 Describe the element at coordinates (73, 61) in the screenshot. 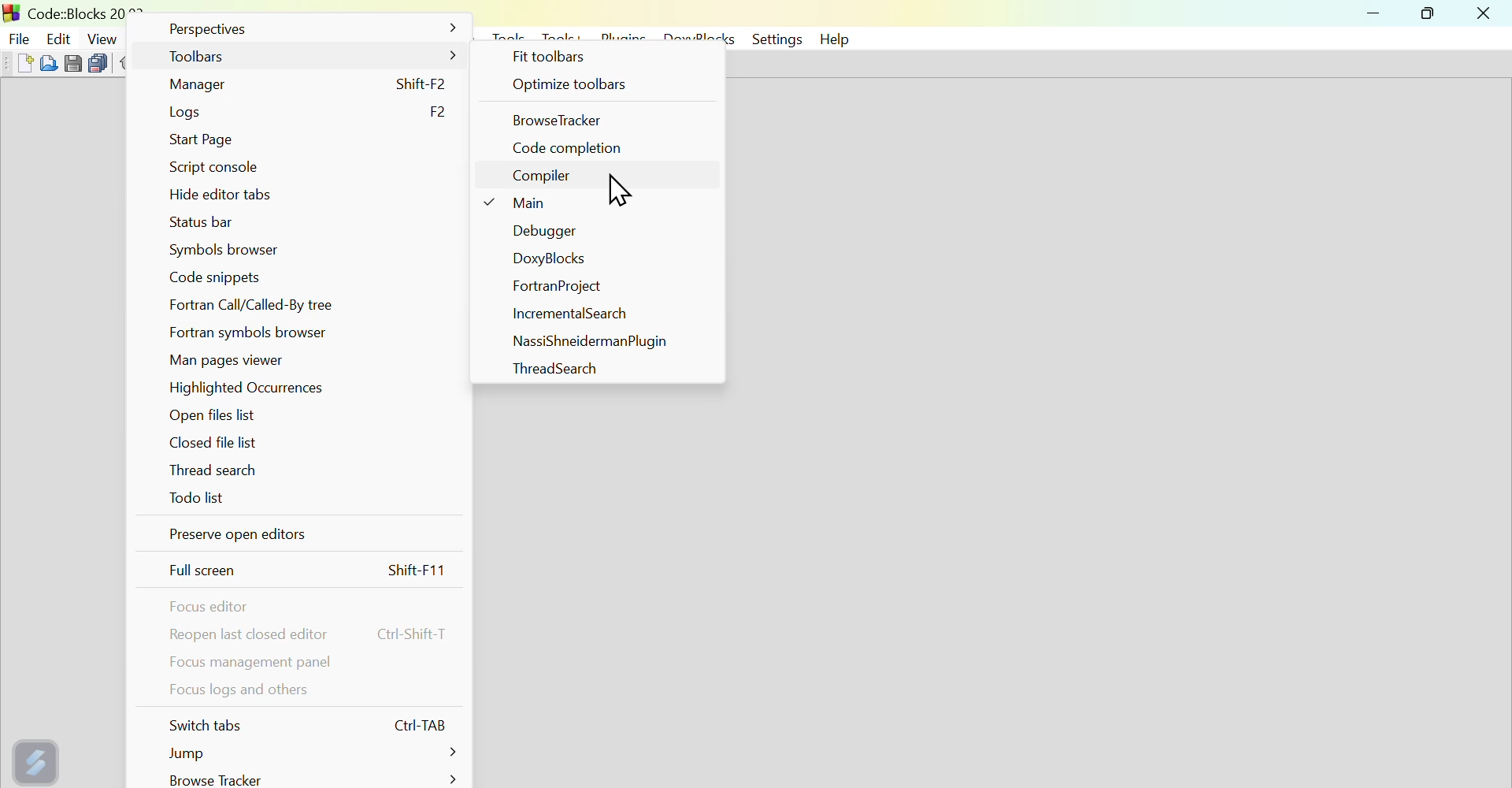

I see `` at that location.